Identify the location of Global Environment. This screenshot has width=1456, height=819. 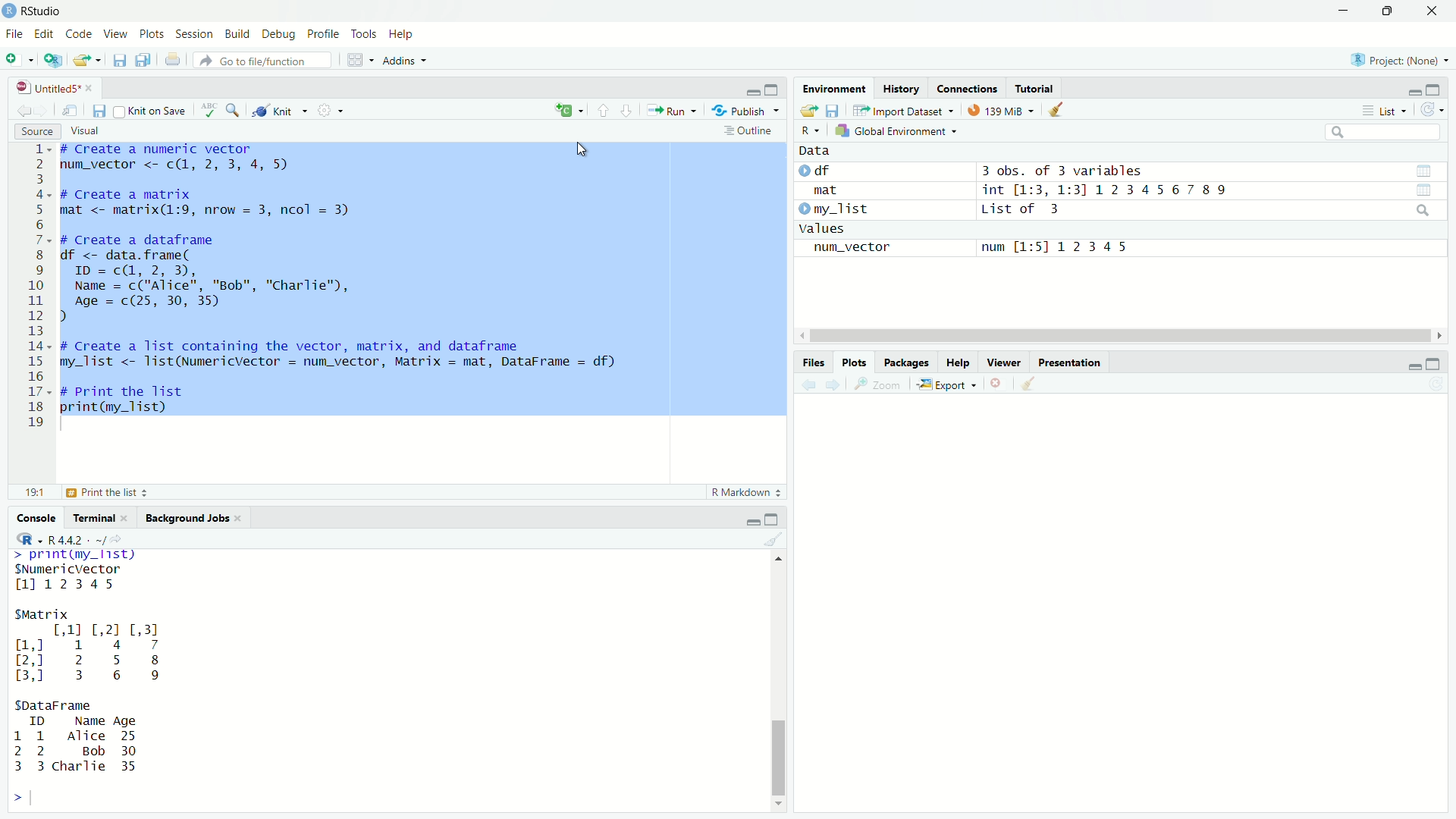
(899, 129).